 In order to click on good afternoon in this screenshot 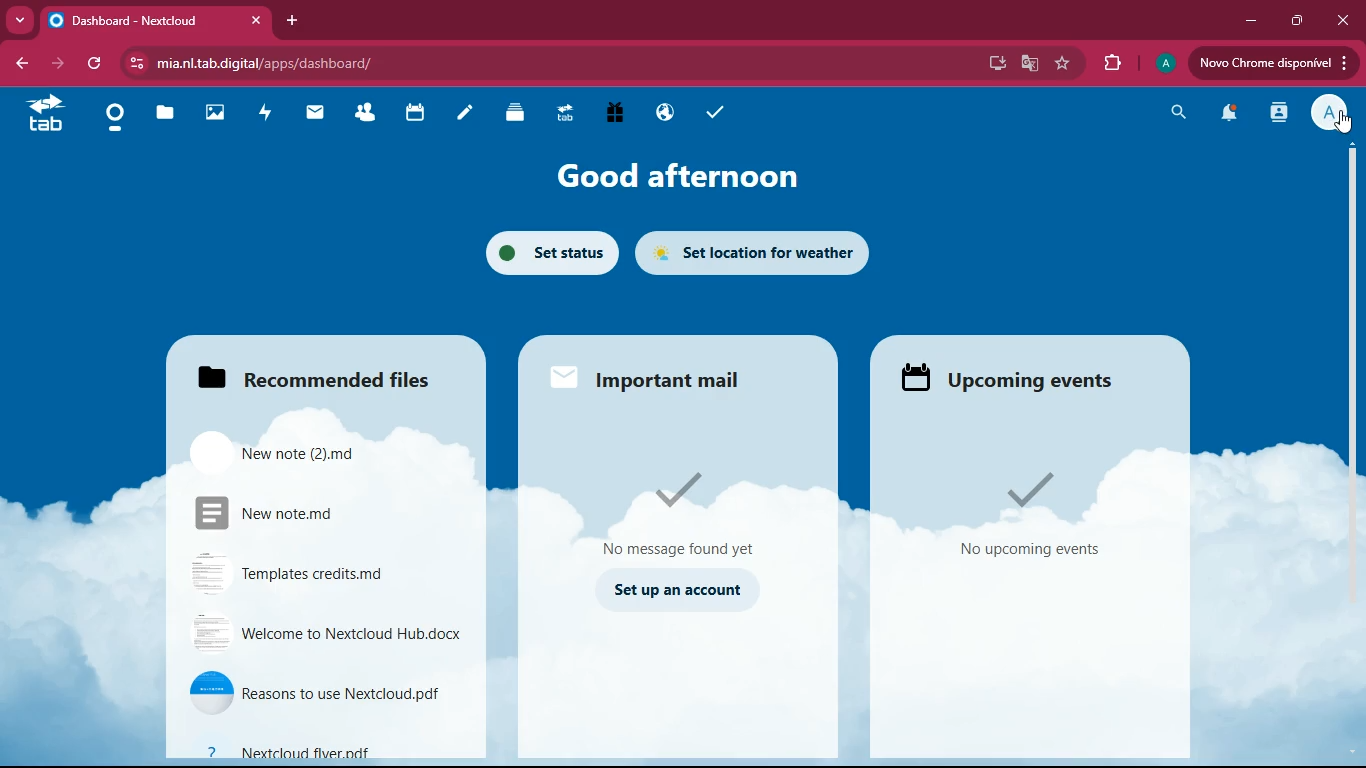, I will do `click(675, 176)`.